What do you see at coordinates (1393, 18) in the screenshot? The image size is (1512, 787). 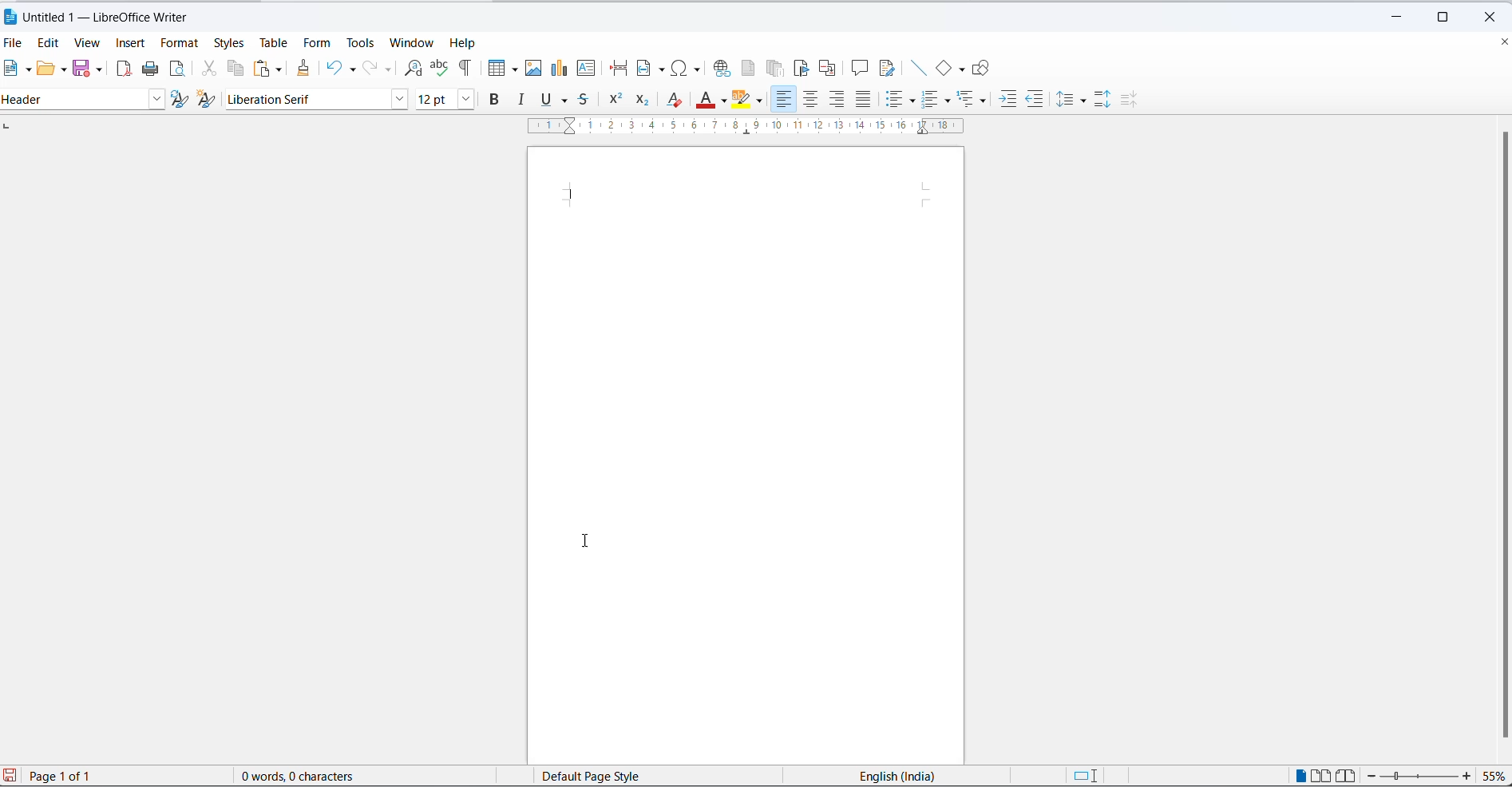 I see `minimize` at bounding box center [1393, 18].